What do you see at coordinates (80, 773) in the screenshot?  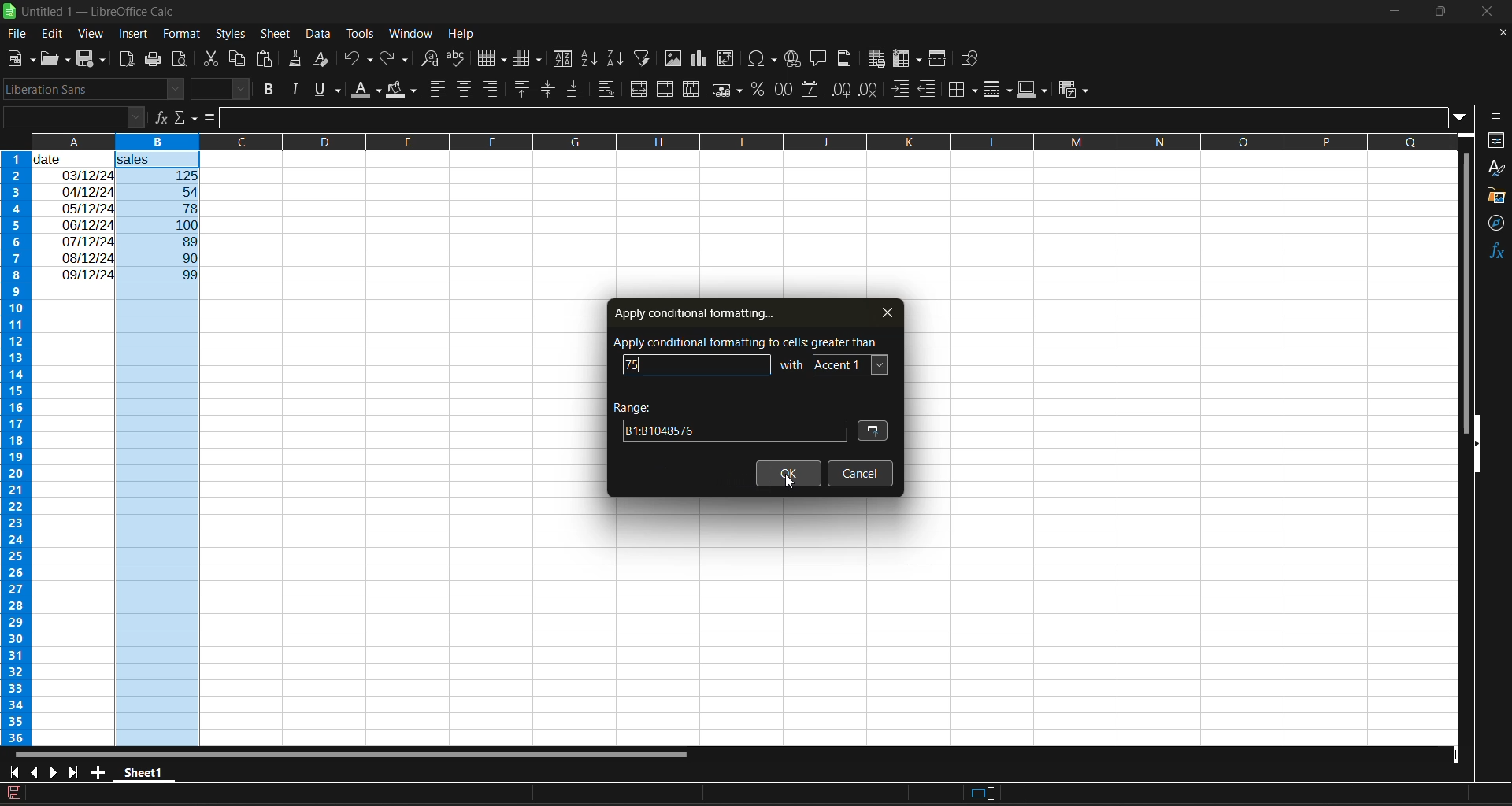 I see `scroll to last sheet` at bounding box center [80, 773].